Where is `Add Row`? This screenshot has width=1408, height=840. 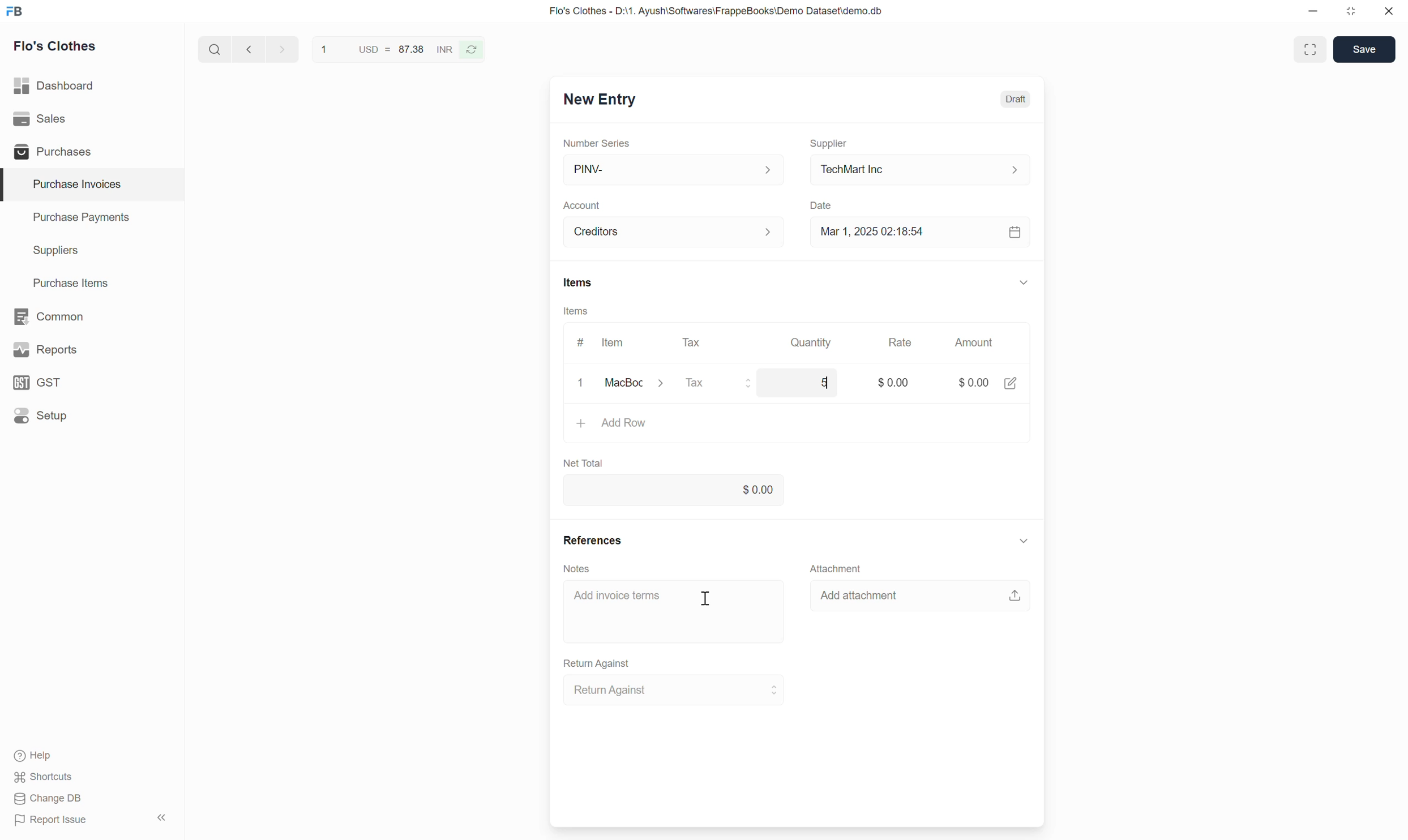 Add Row is located at coordinates (798, 427).